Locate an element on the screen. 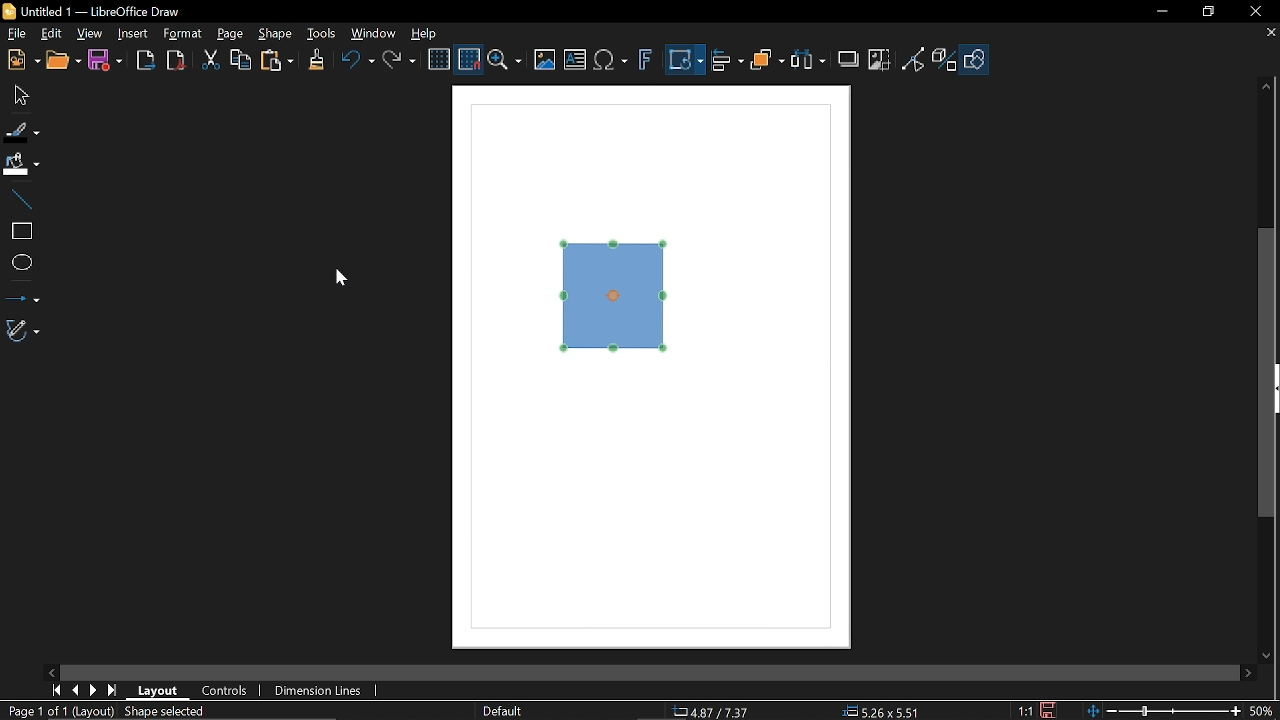 This screenshot has height=720, width=1280. Minimize is located at coordinates (1160, 11).